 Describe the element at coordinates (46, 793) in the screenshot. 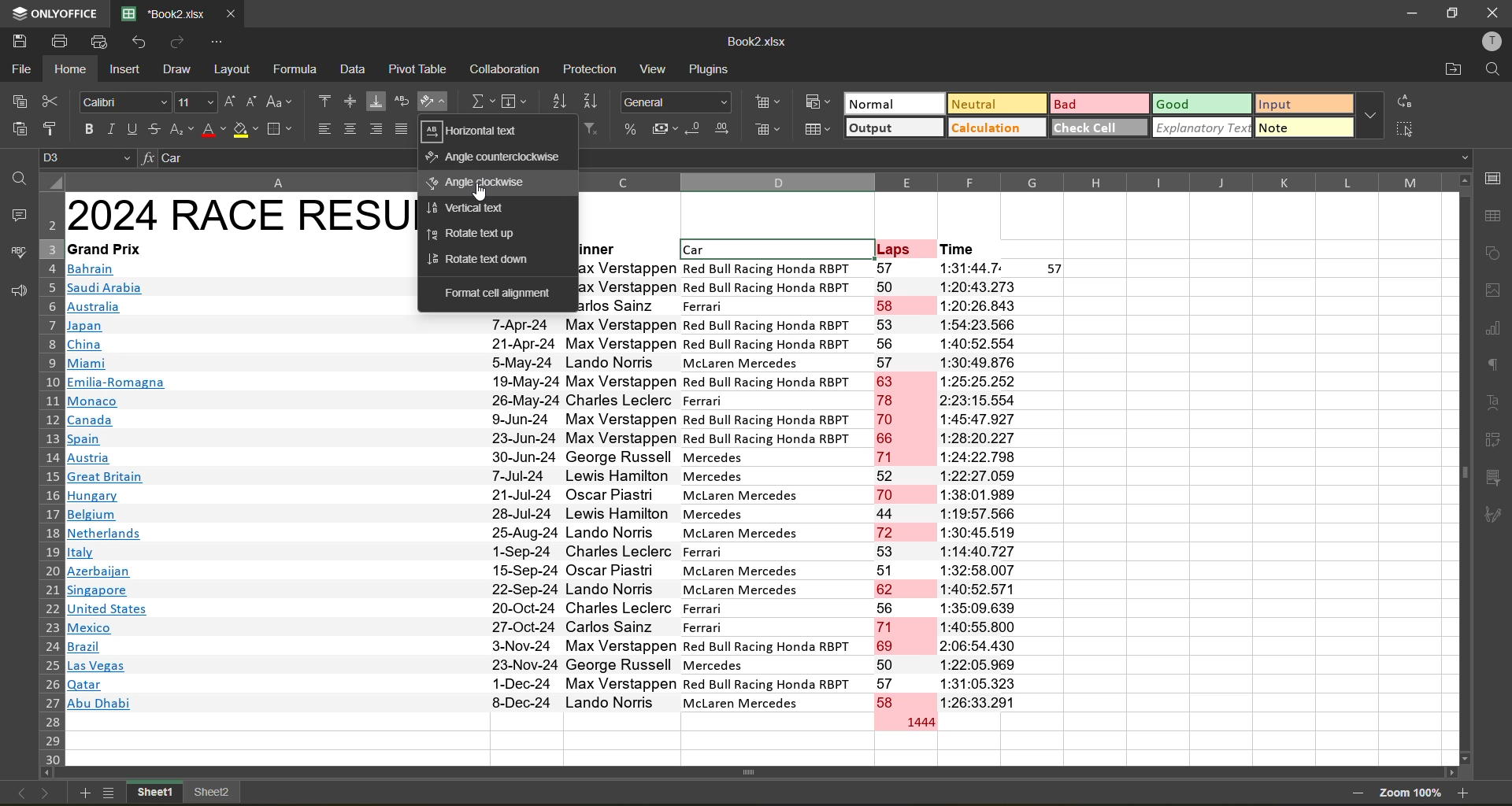

I see `next` at that location.